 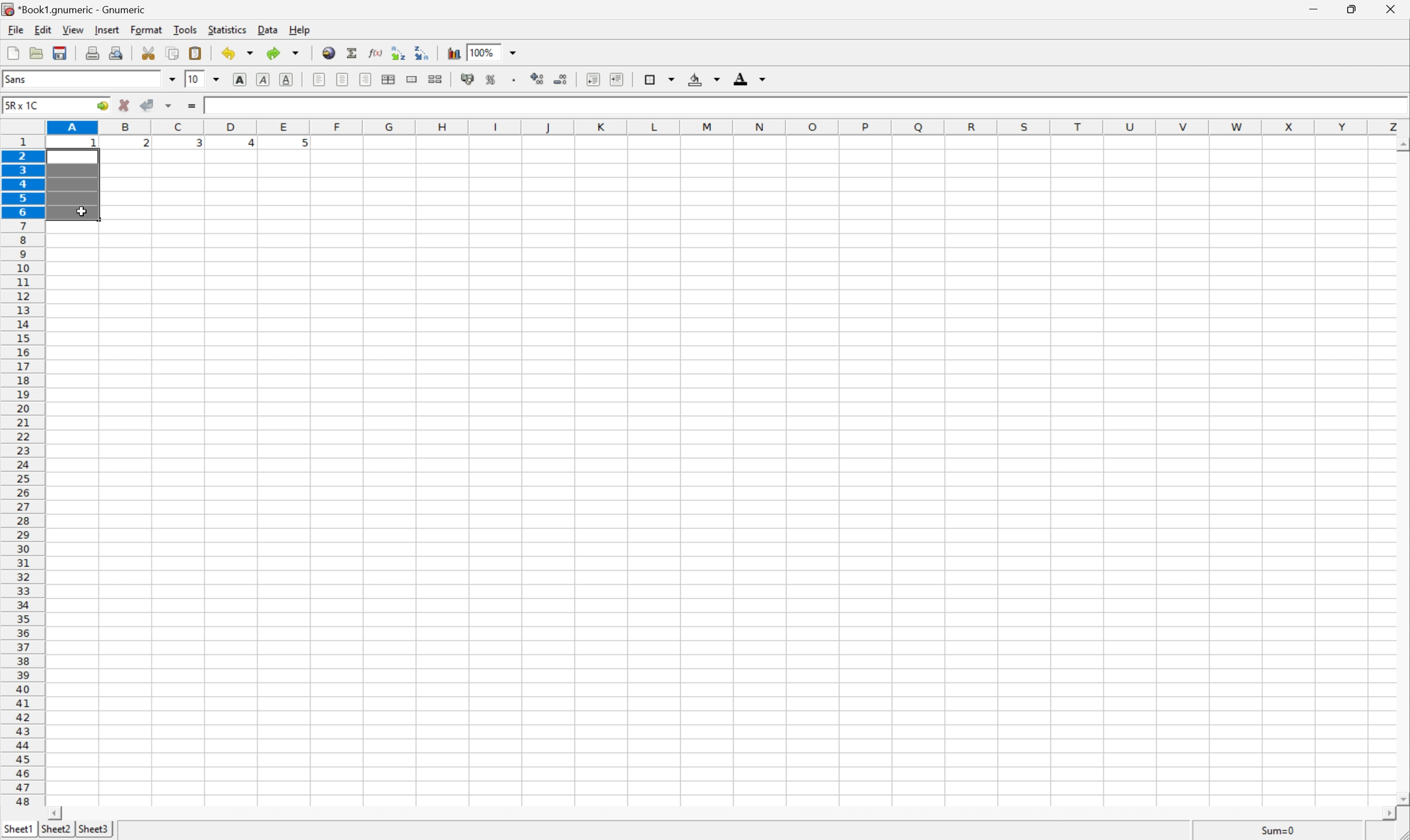 What do you see at coordinates (1401, 146) in the screenshot?
I see `scroll up` at bounding box center [1401, 146].